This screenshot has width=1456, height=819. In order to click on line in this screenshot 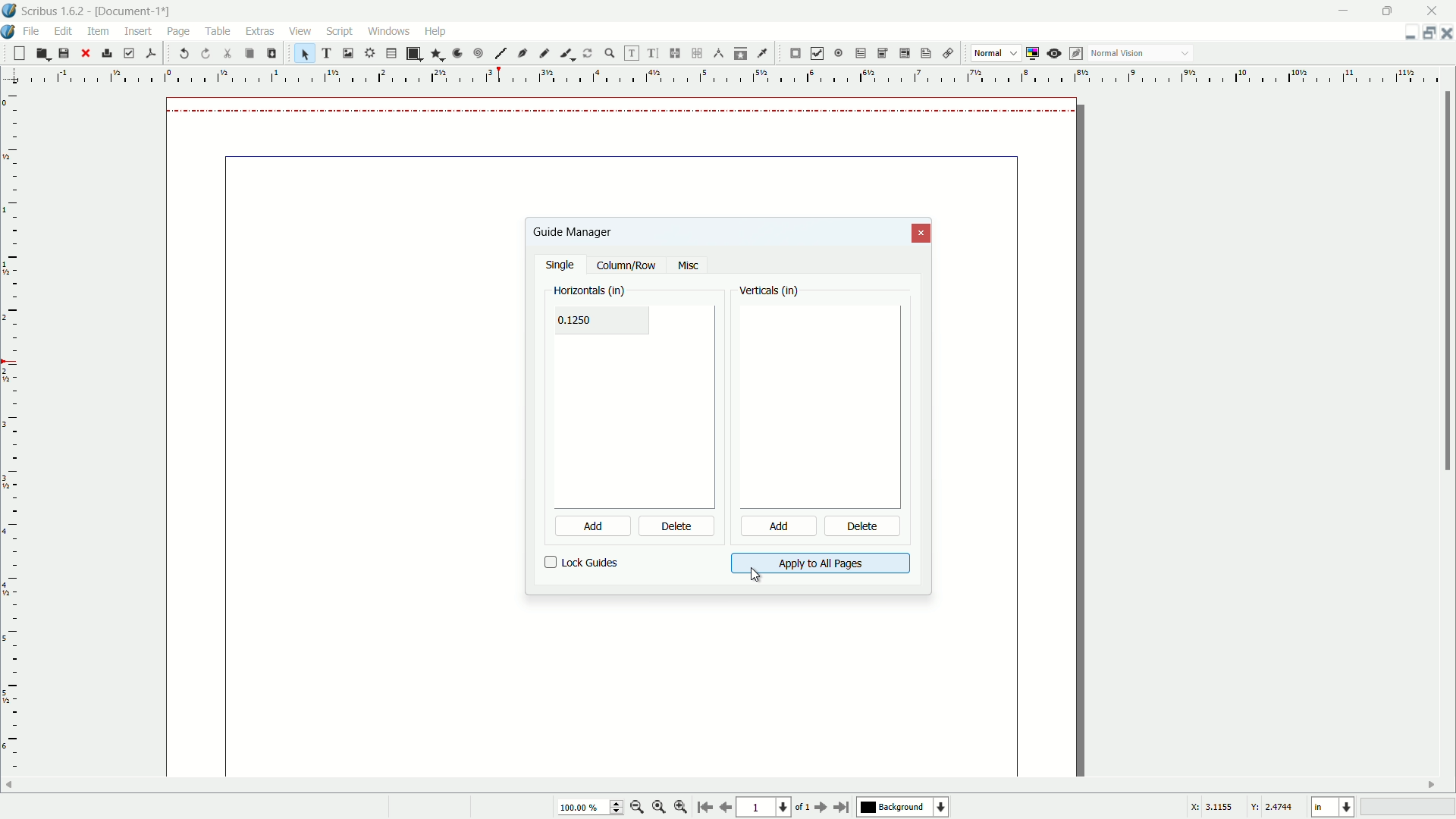, I will do `click(500, 54)`.